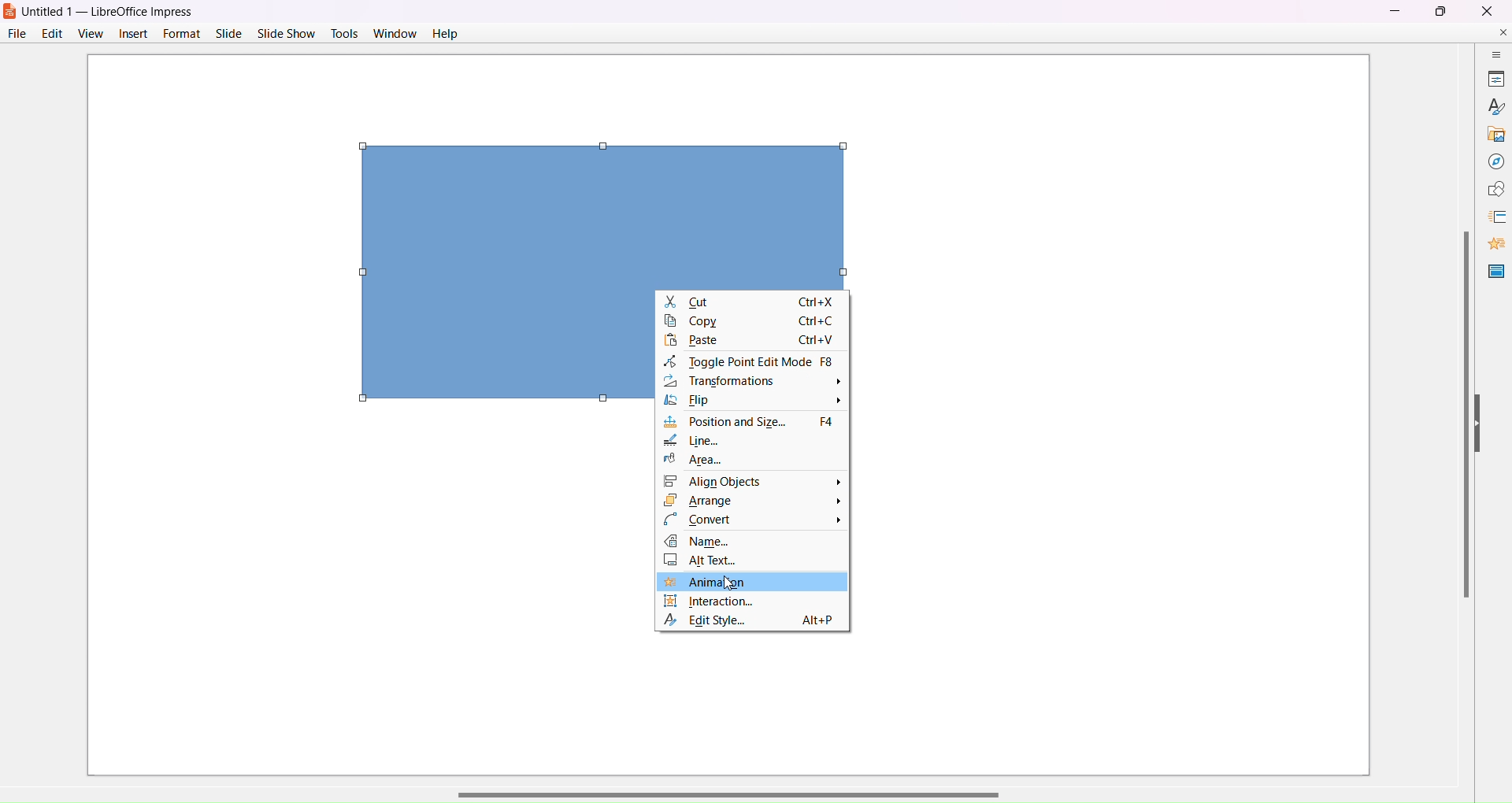  Describe the element at coordinates (133, 35) in the screenshot. I see `Insert` at that location.